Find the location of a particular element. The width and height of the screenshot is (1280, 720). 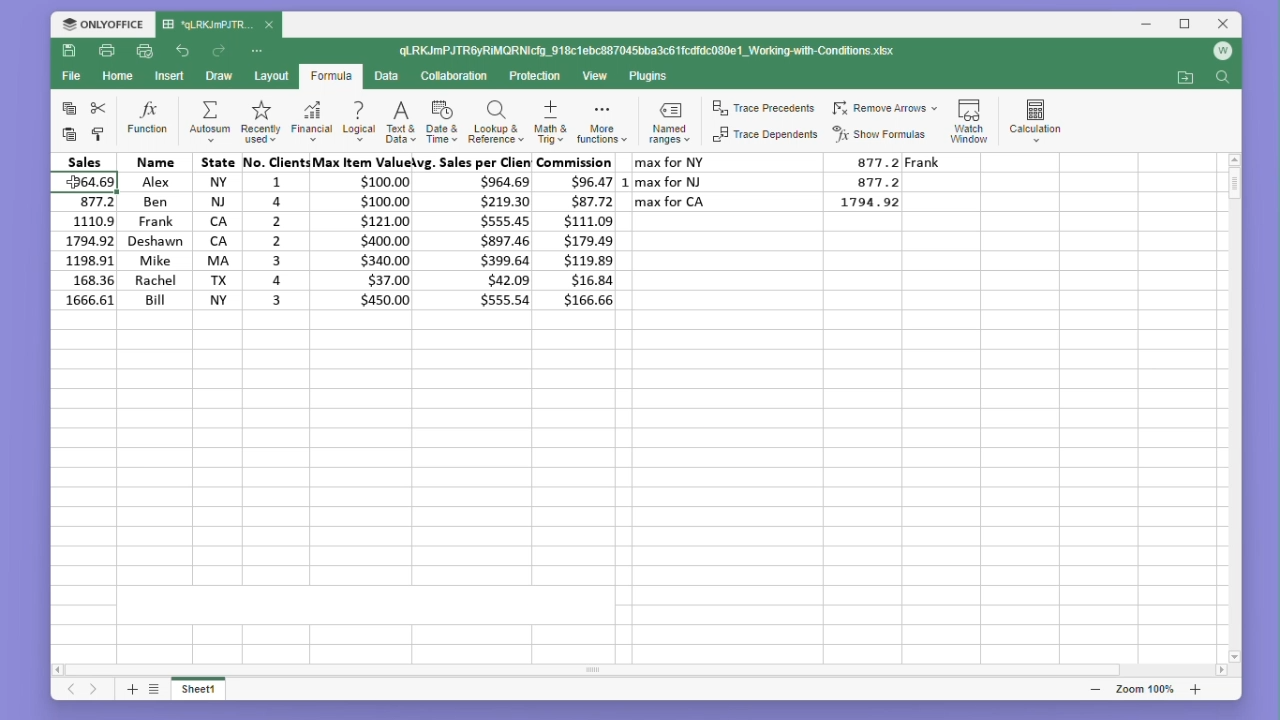

Layout is located at coordinates (271, 76).